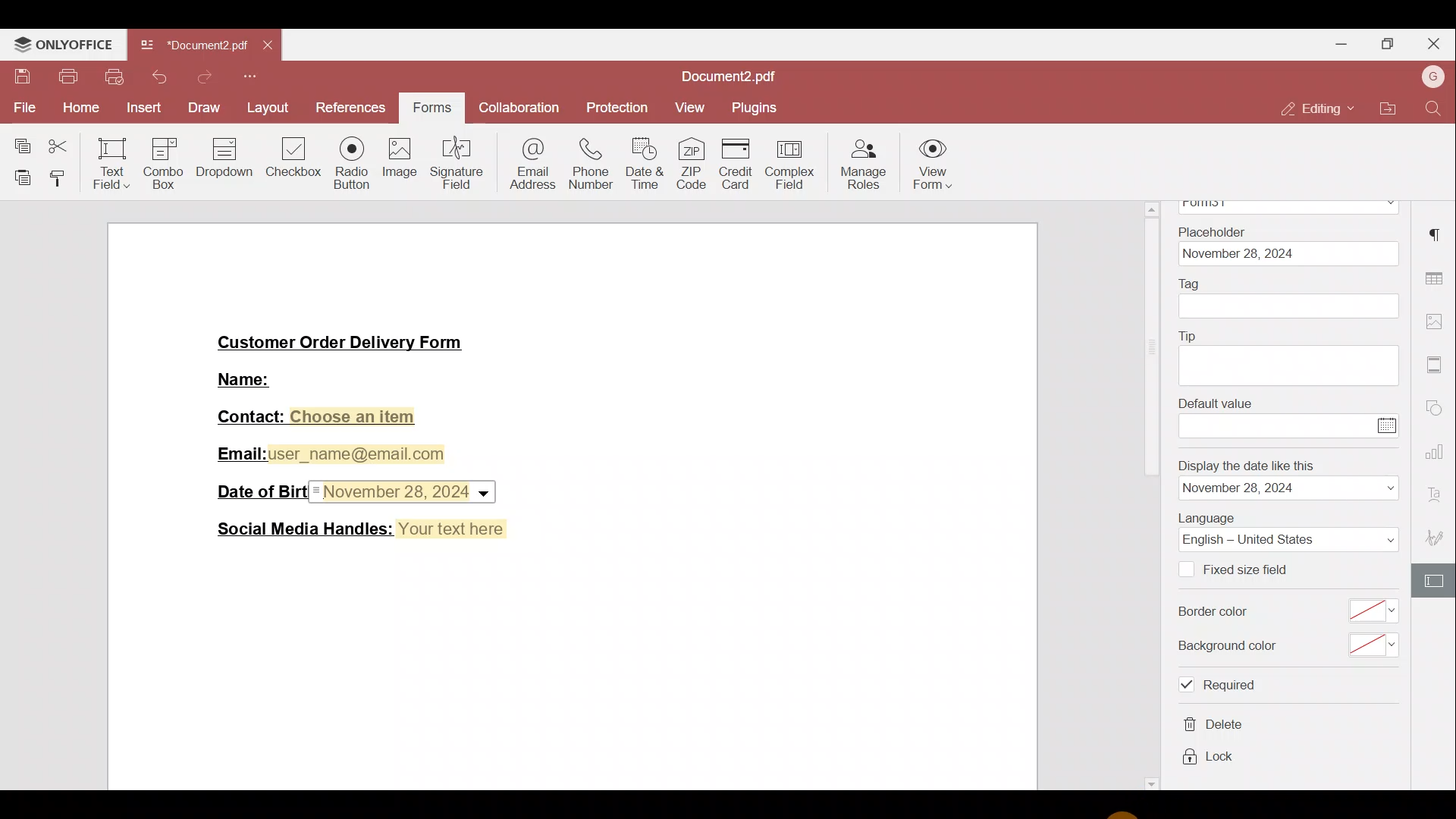 This screenshot has width=1456, height=819. What do you see at coordinates (61, 176) in the screenshot?
I see `Copy style` at bounding box center [61, 176].